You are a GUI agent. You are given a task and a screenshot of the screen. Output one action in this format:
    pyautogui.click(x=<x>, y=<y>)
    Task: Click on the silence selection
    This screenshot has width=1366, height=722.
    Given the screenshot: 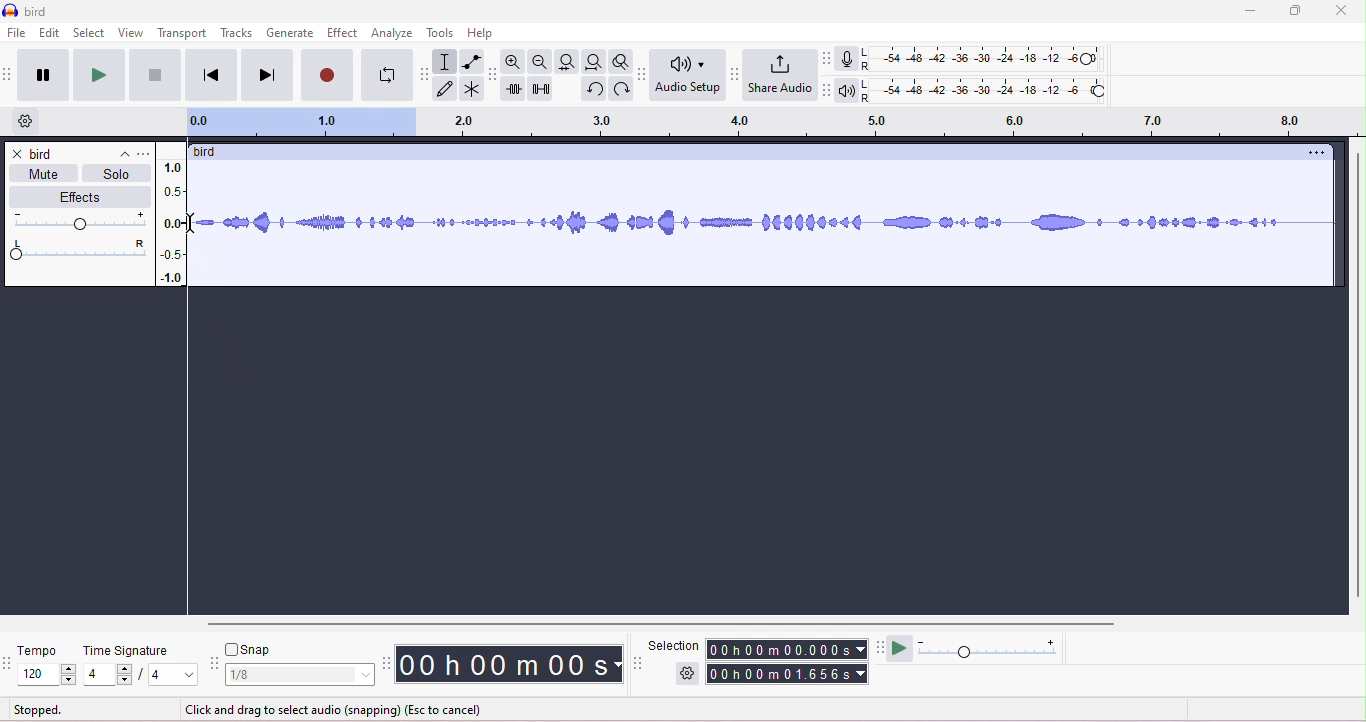 What is the action you would take?
    pyautogui.click(x=544, y=89)
    